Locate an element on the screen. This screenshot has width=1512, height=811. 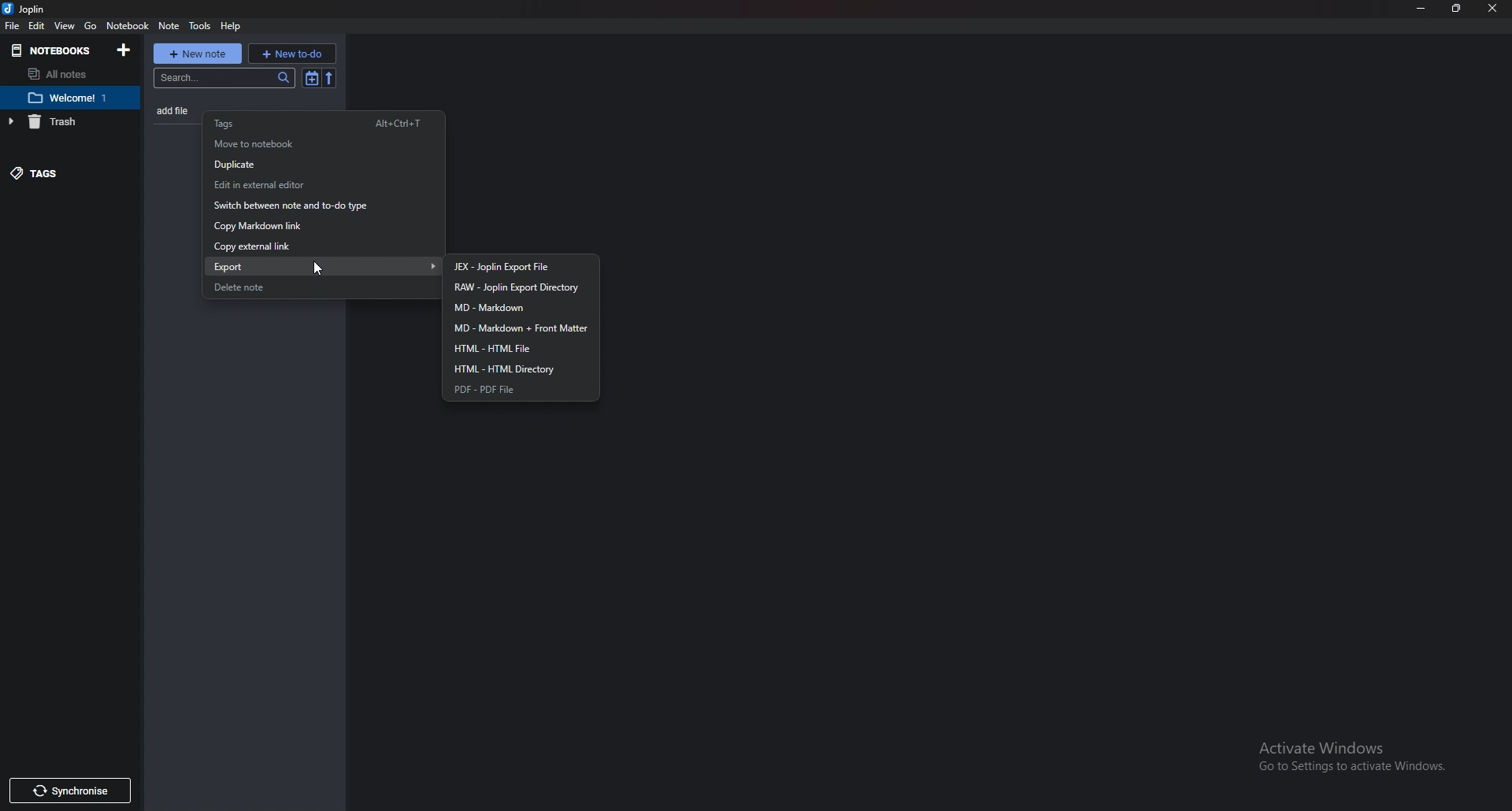
Edit in external editor is located at coordinates (314, 185).